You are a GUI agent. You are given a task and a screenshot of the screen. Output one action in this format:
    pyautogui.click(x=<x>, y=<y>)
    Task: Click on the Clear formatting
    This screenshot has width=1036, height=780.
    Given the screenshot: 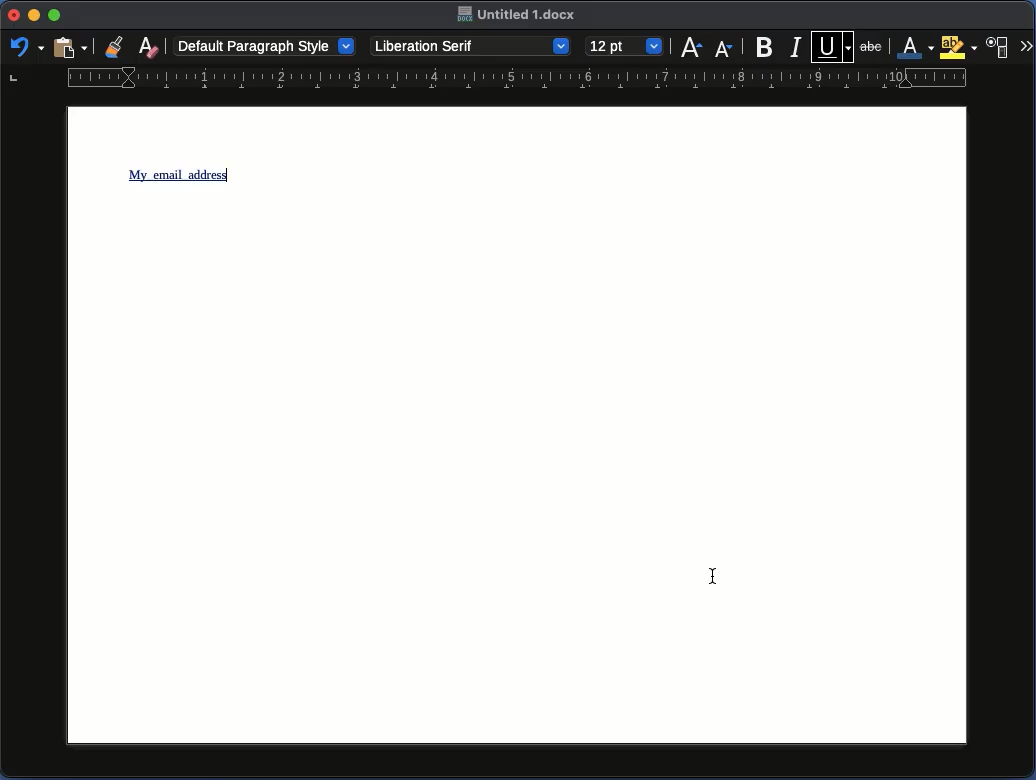 What is the action you would take?
    pyautogui.click(x=150, y=45)
    